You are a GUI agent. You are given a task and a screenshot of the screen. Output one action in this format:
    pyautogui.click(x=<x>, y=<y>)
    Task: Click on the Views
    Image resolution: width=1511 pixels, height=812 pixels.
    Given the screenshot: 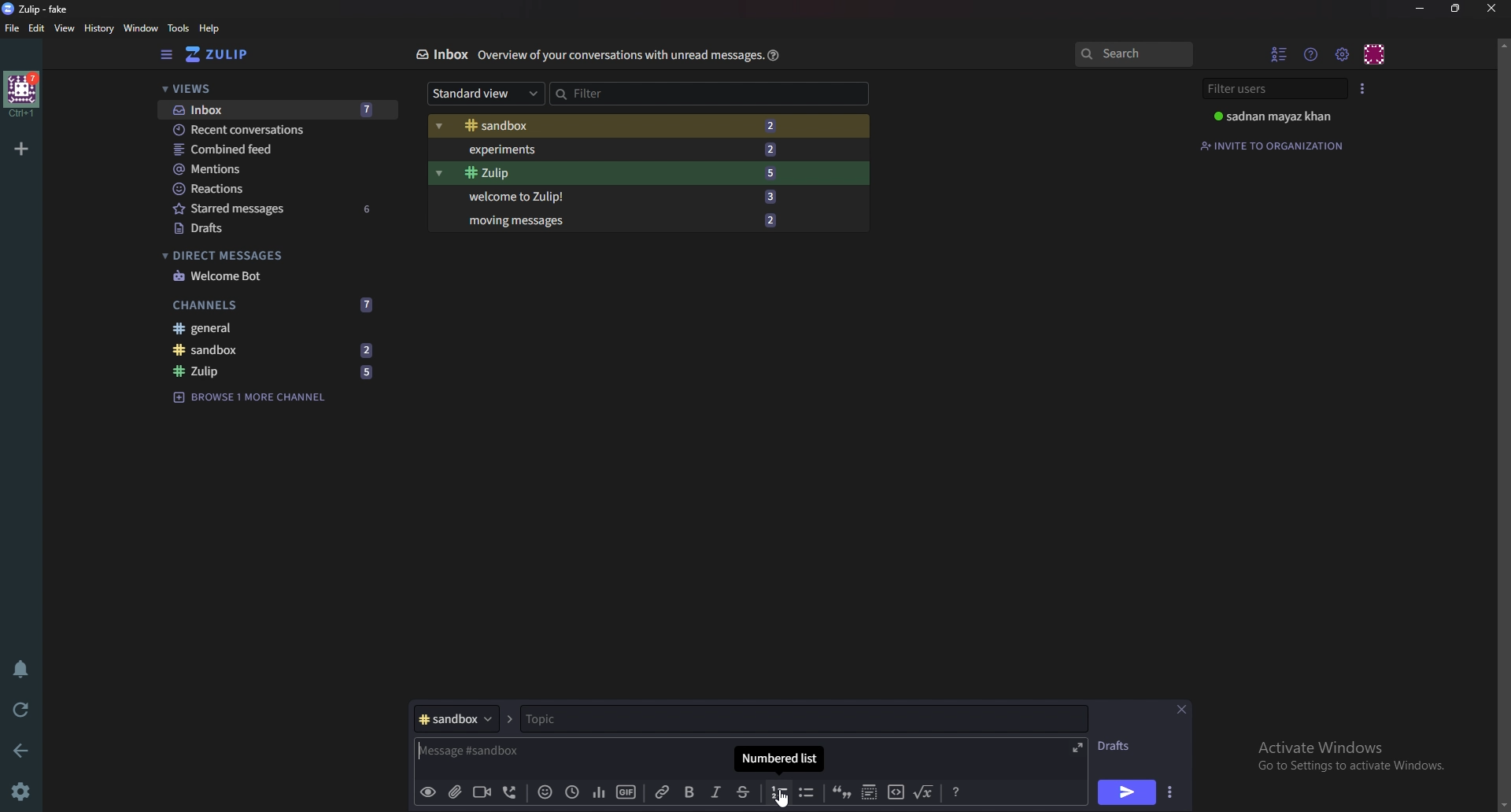 What is the action you would take?
    pyautogui.click(x=269, y=90)
    